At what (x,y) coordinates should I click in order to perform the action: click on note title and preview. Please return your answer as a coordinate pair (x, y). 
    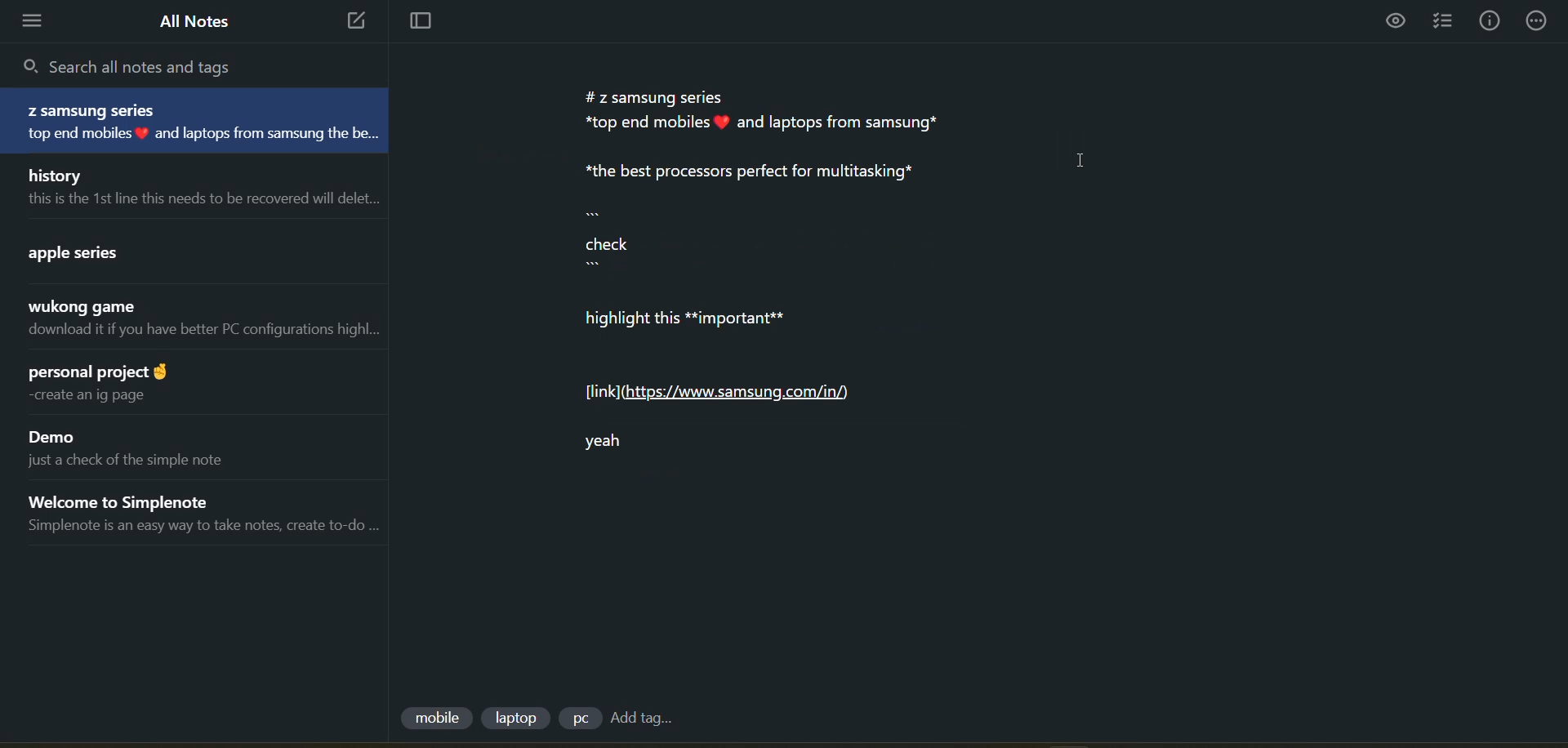
    Looking at the image, I should click on (194, 186).